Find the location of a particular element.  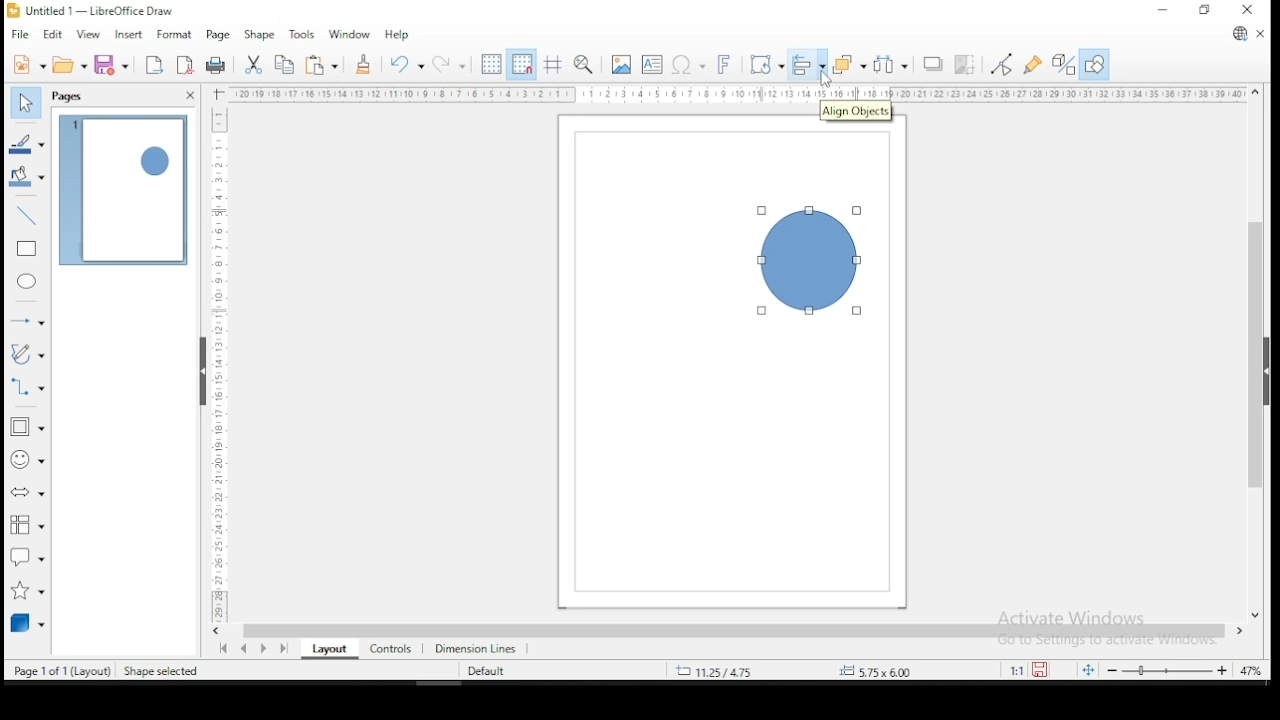

file is located at coordinates (21, 35).